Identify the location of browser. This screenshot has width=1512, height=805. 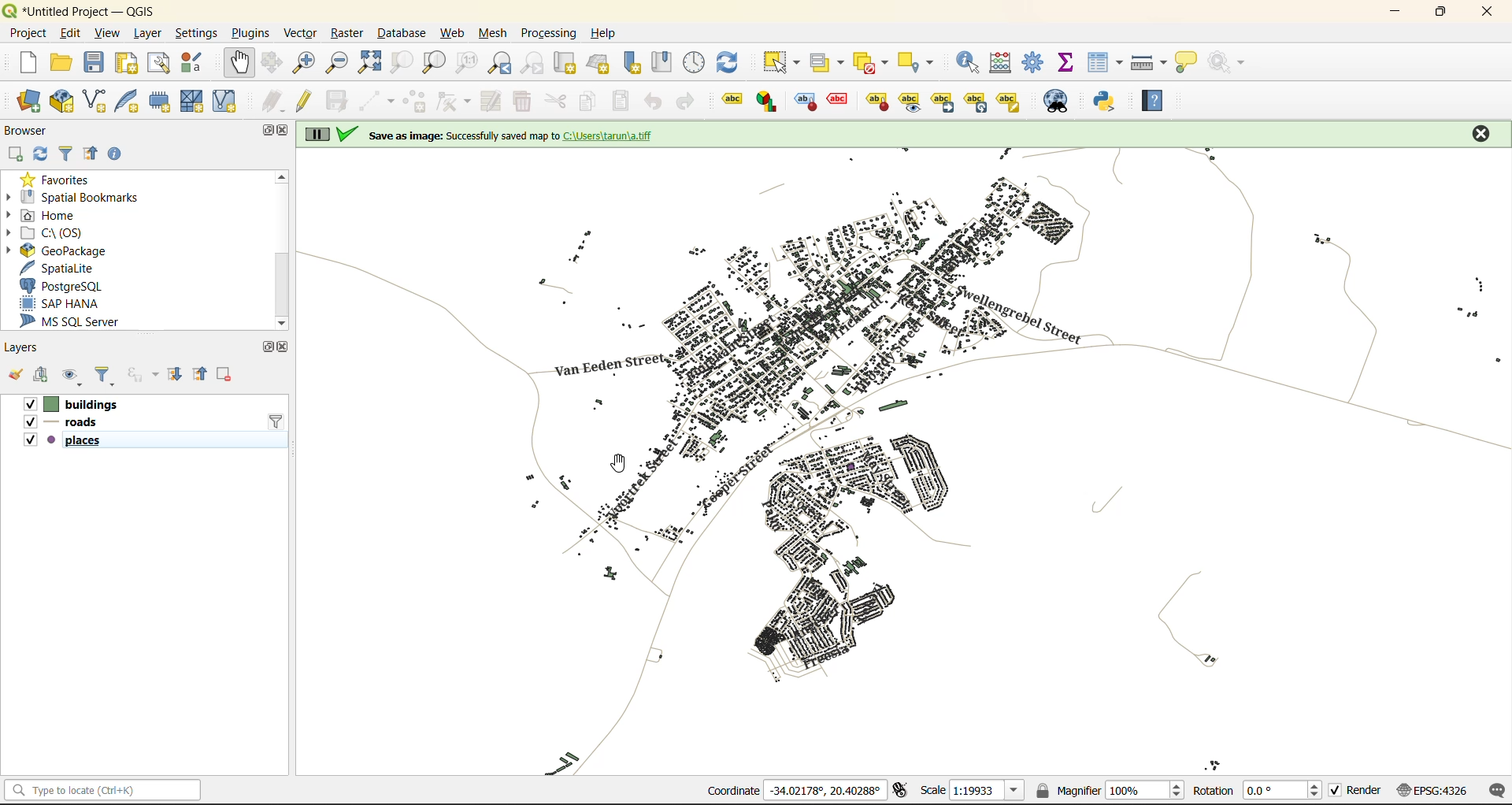
(27, 131).